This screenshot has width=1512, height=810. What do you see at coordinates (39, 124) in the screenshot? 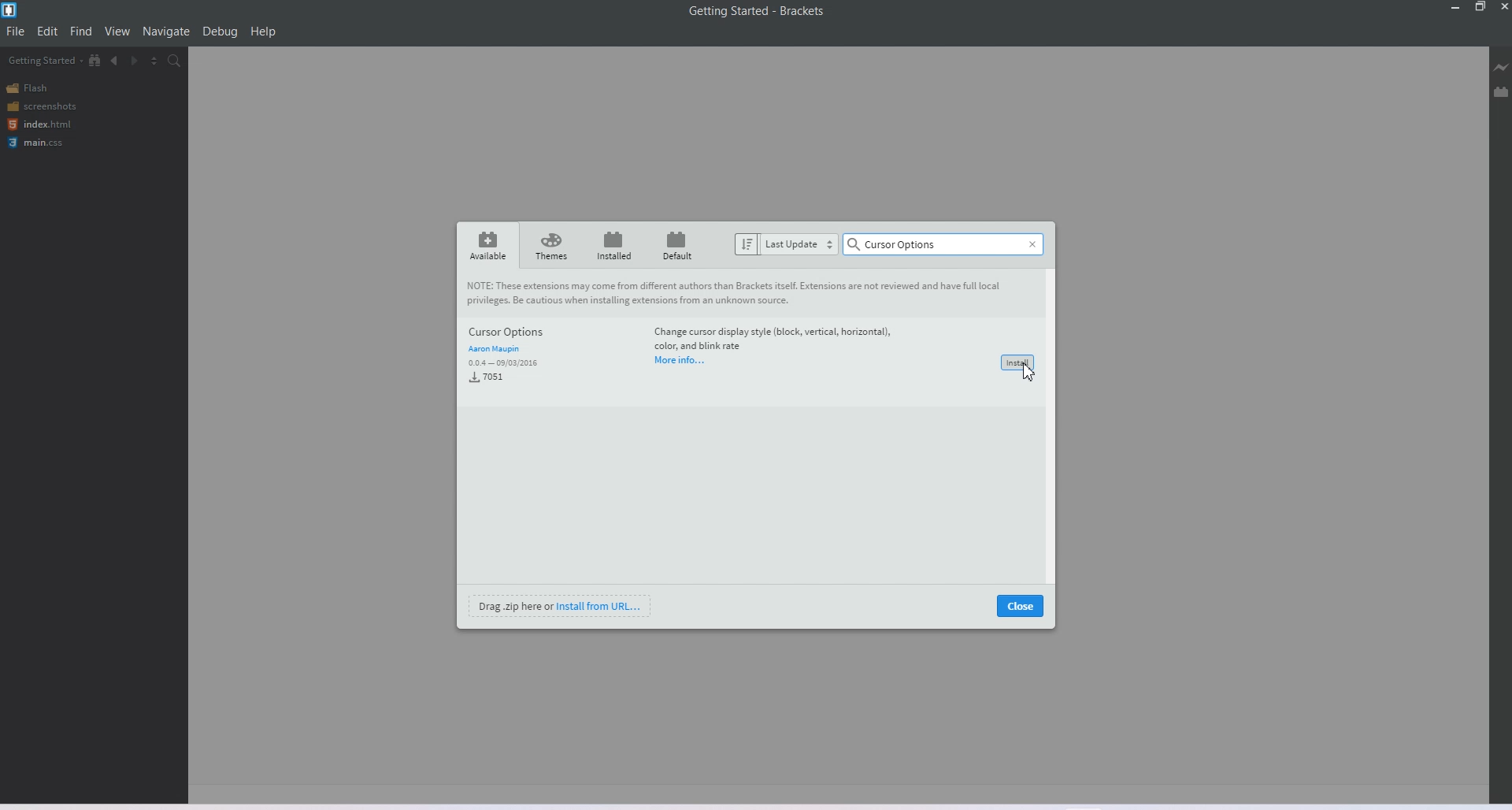
I see `index.html` at bounding box center [39, 124].